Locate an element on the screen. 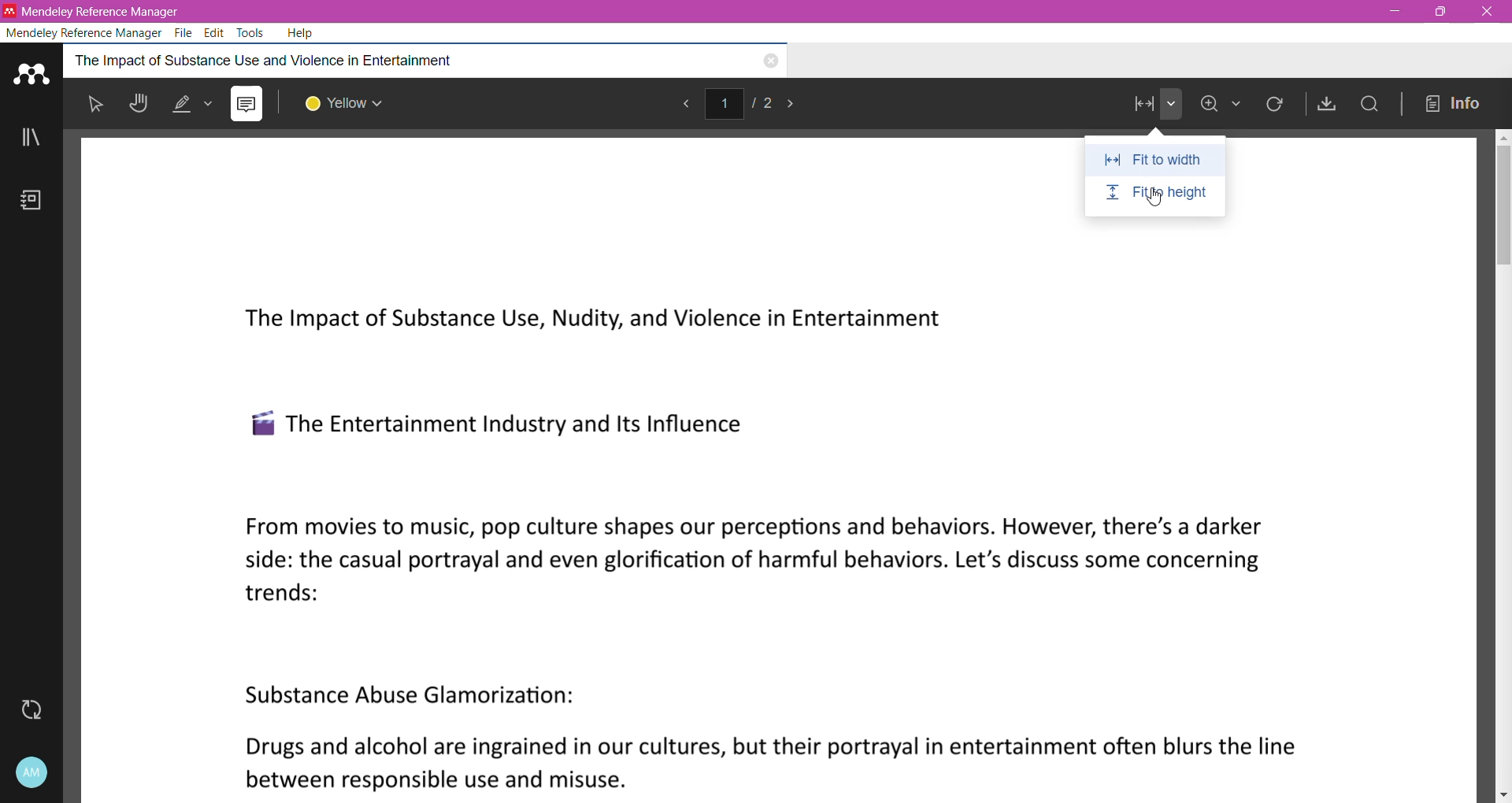   is located at coordinates (143, 105).